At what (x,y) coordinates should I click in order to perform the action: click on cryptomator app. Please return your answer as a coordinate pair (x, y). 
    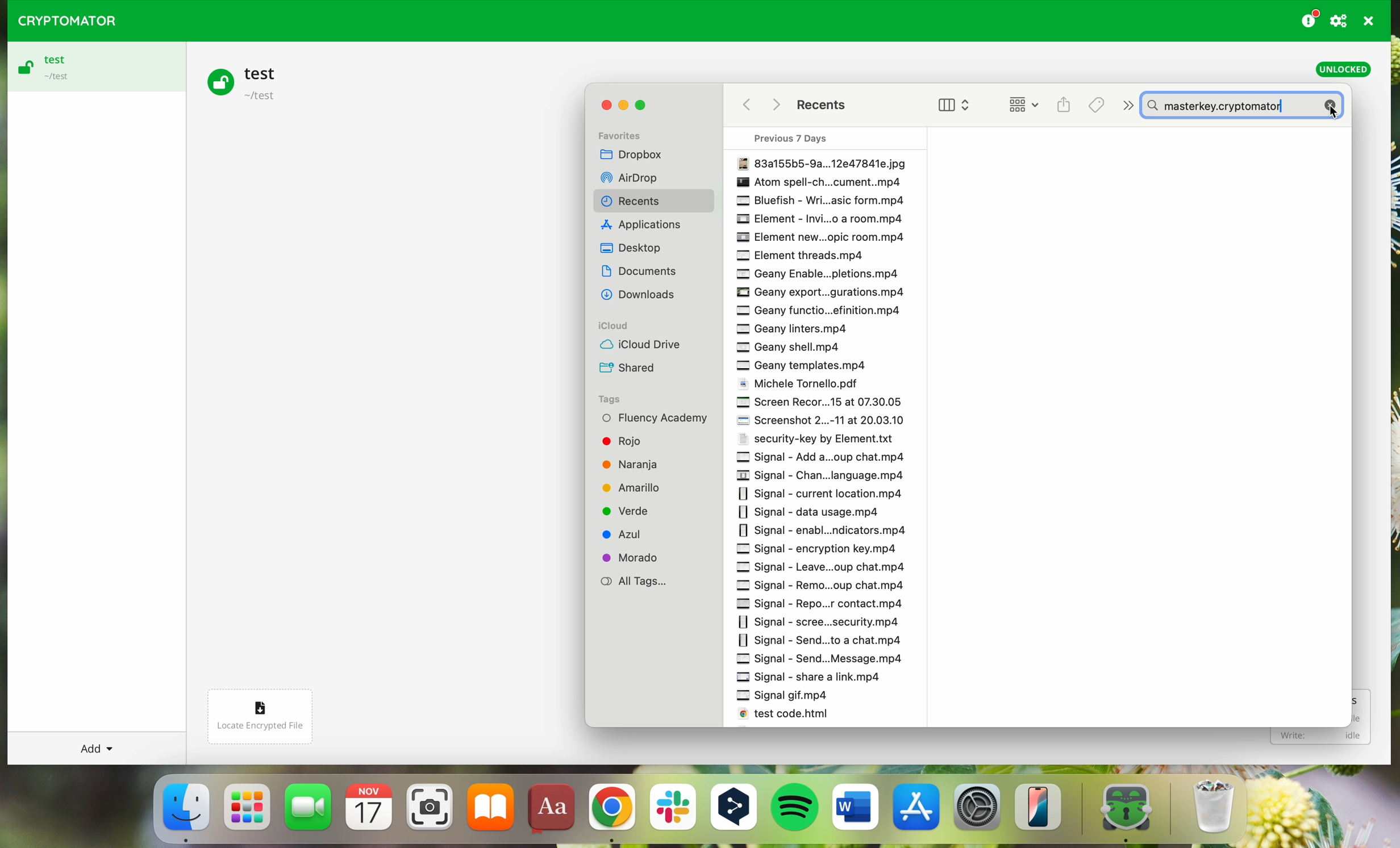
    Looking at the image, I should click on (1118, 811).